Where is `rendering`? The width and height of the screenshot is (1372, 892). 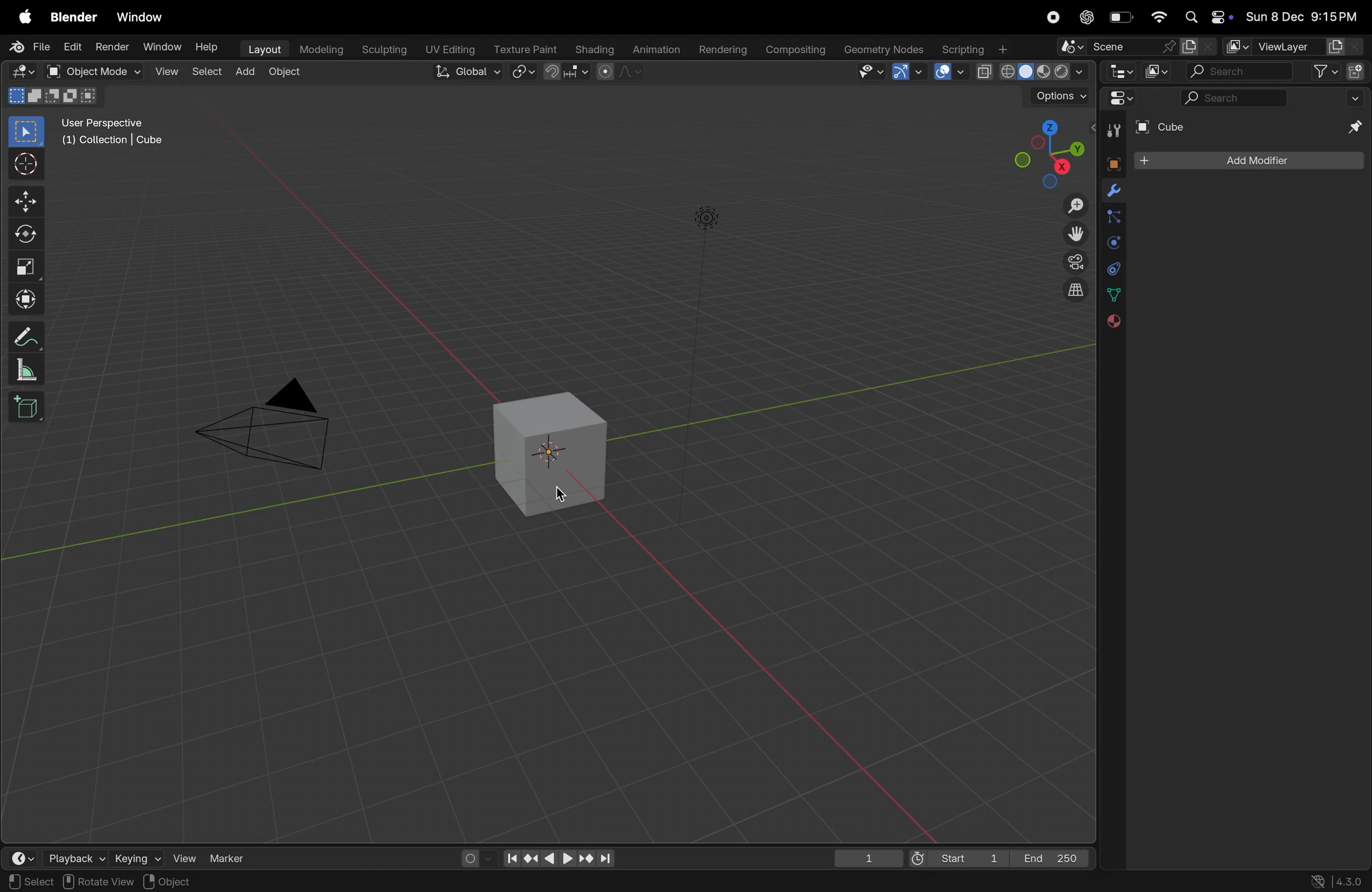 rendering is located at coordinates (721, 50).